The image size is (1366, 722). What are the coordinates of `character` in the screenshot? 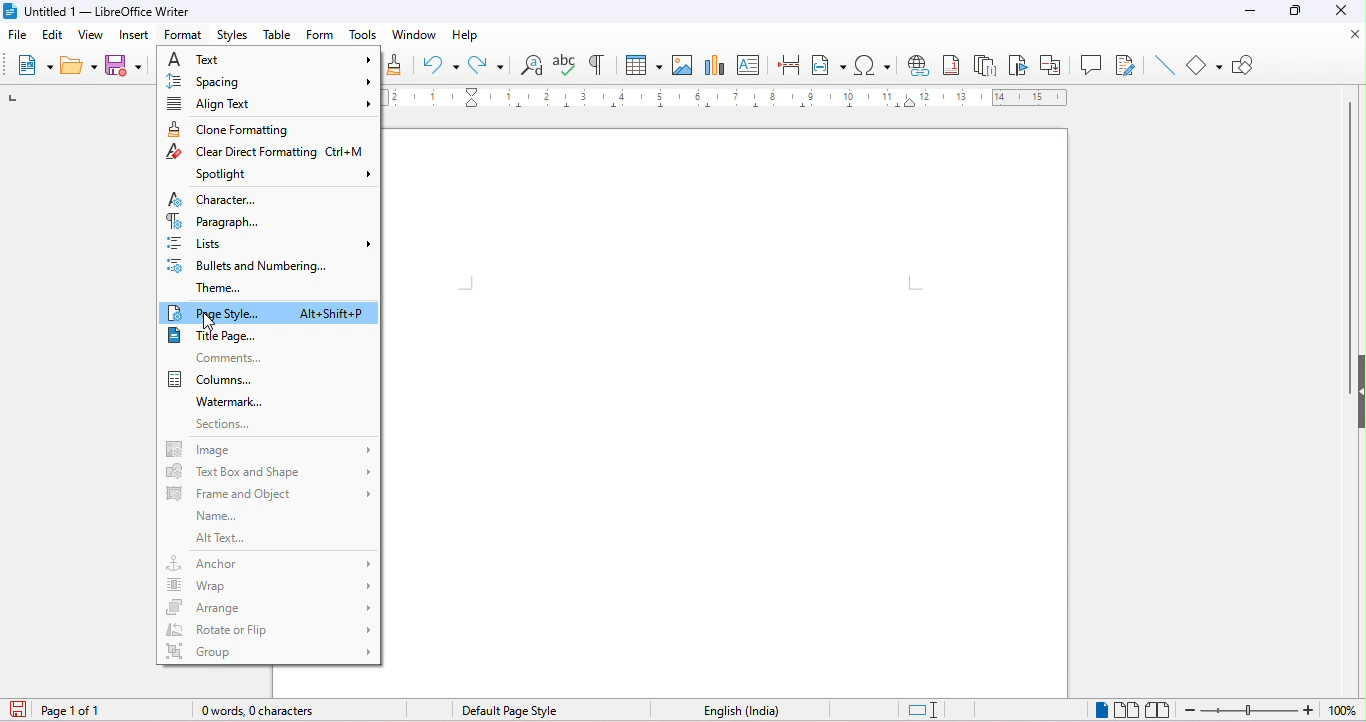 It's located at (230, 200).